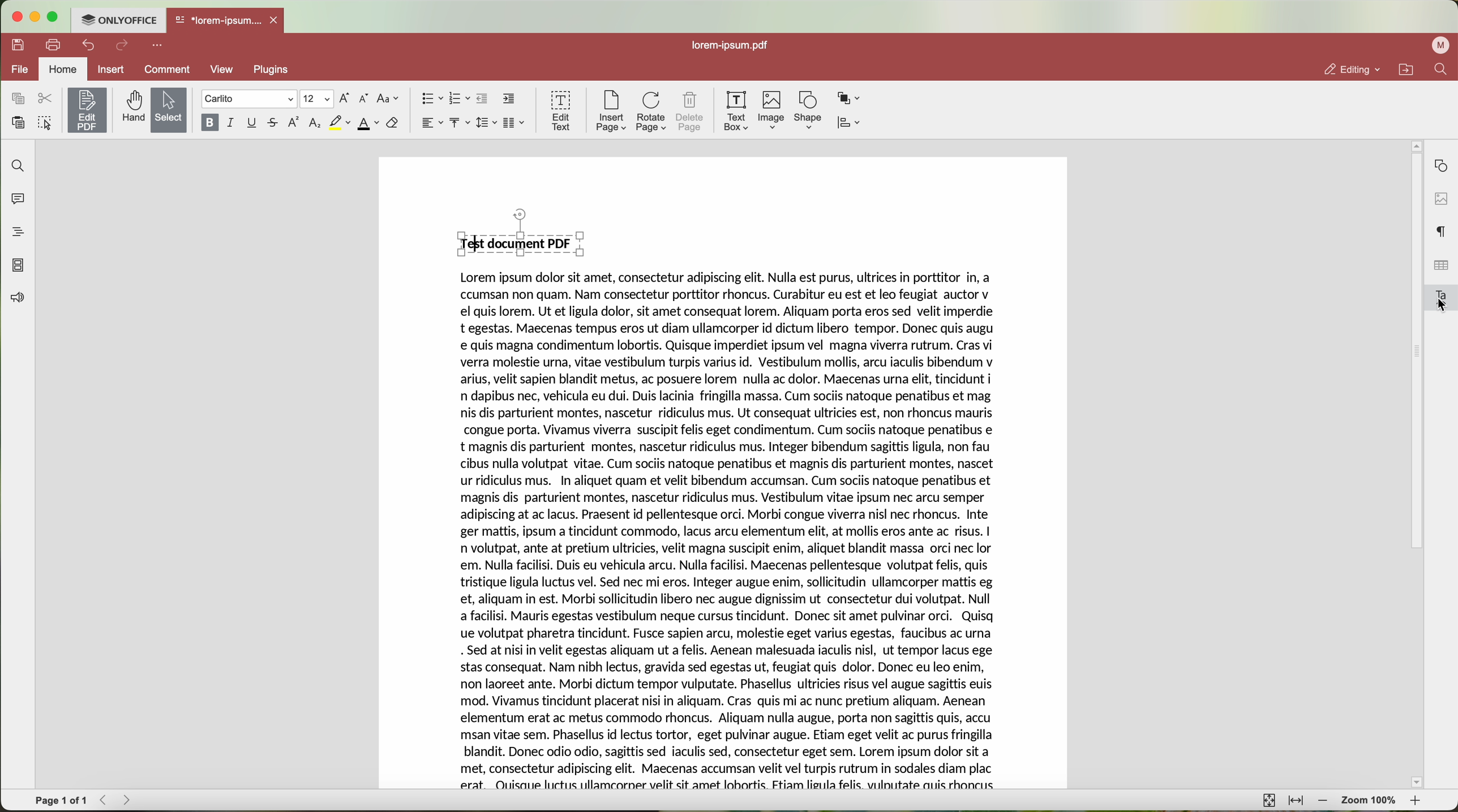 The height and width of the screenshot is (812, 1458). What do you see at coordinates (20, 200) in the screenshot?
I see `comments` at bounding box center [20, 200].